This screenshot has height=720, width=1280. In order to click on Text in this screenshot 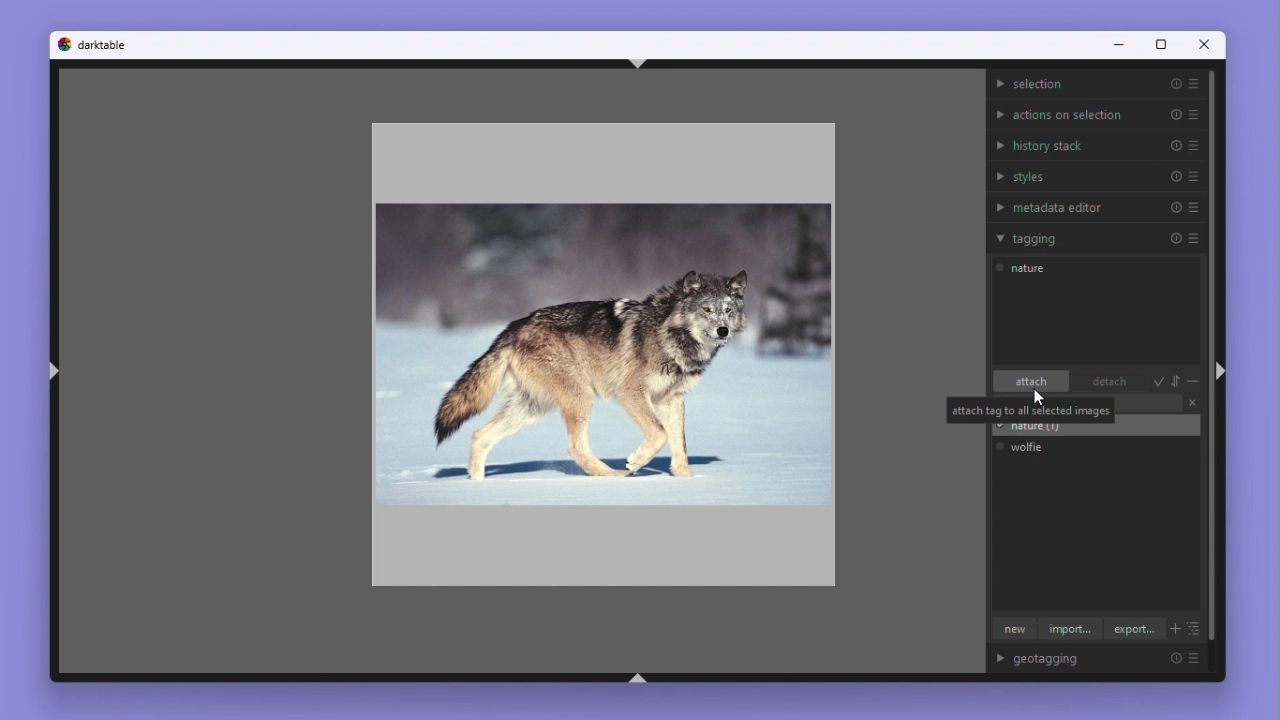, I will do `click(1030, 410)`.